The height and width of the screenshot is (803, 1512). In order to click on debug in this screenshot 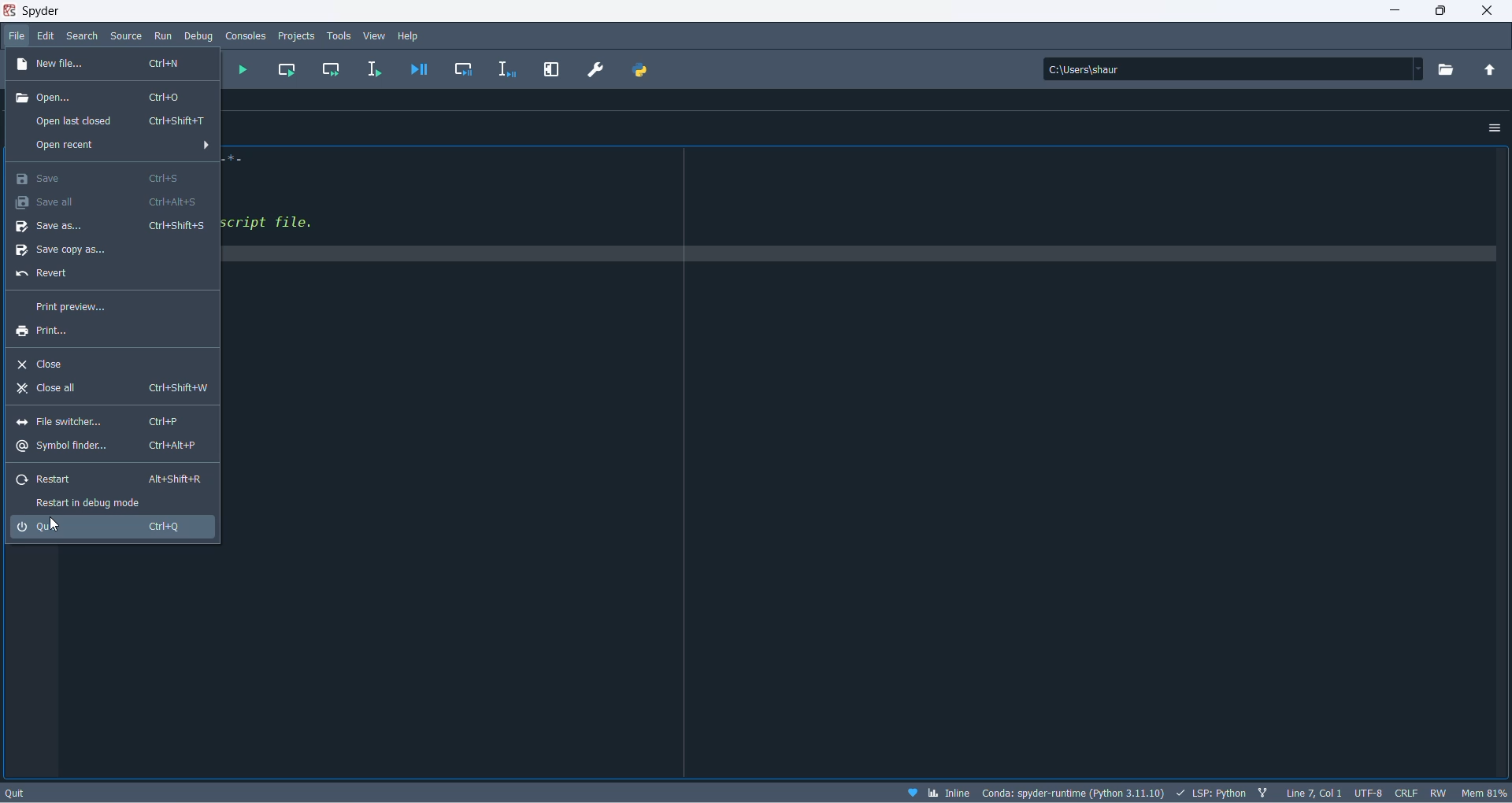, I will do `click(198, 37)`.